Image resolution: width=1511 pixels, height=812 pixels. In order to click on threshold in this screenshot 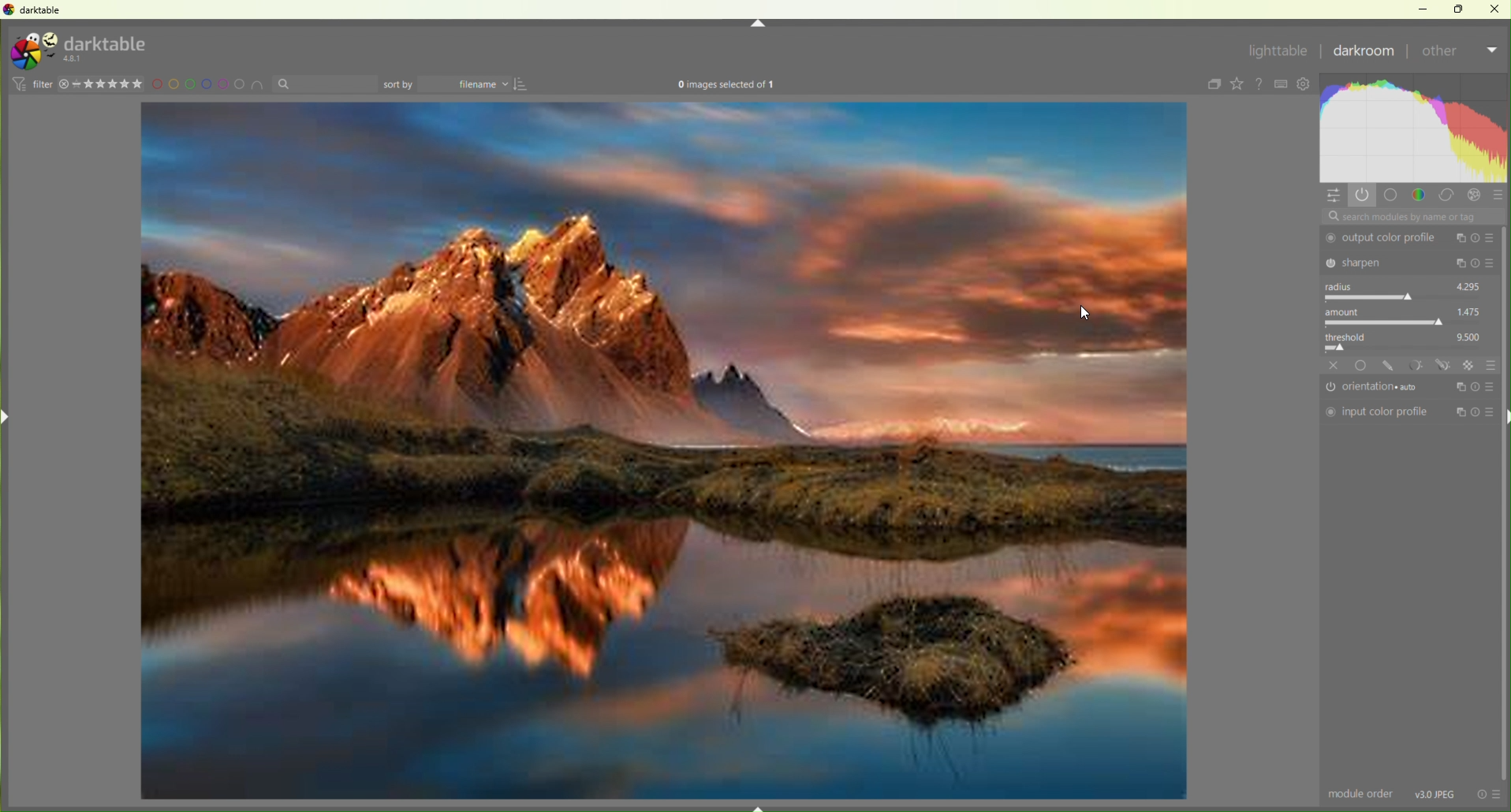, I will do `click(1351, 335)`.